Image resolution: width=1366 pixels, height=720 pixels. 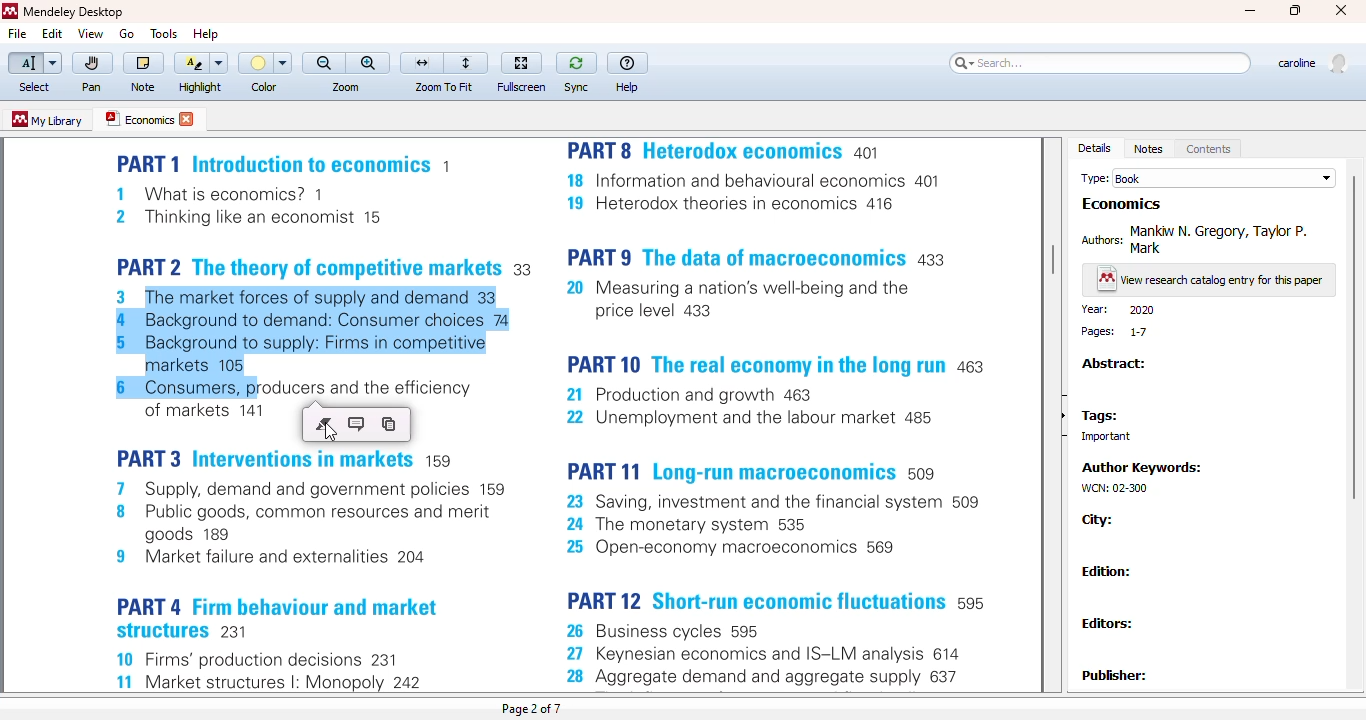 I want to click on author keywords: , so click(x=1145, y=467).